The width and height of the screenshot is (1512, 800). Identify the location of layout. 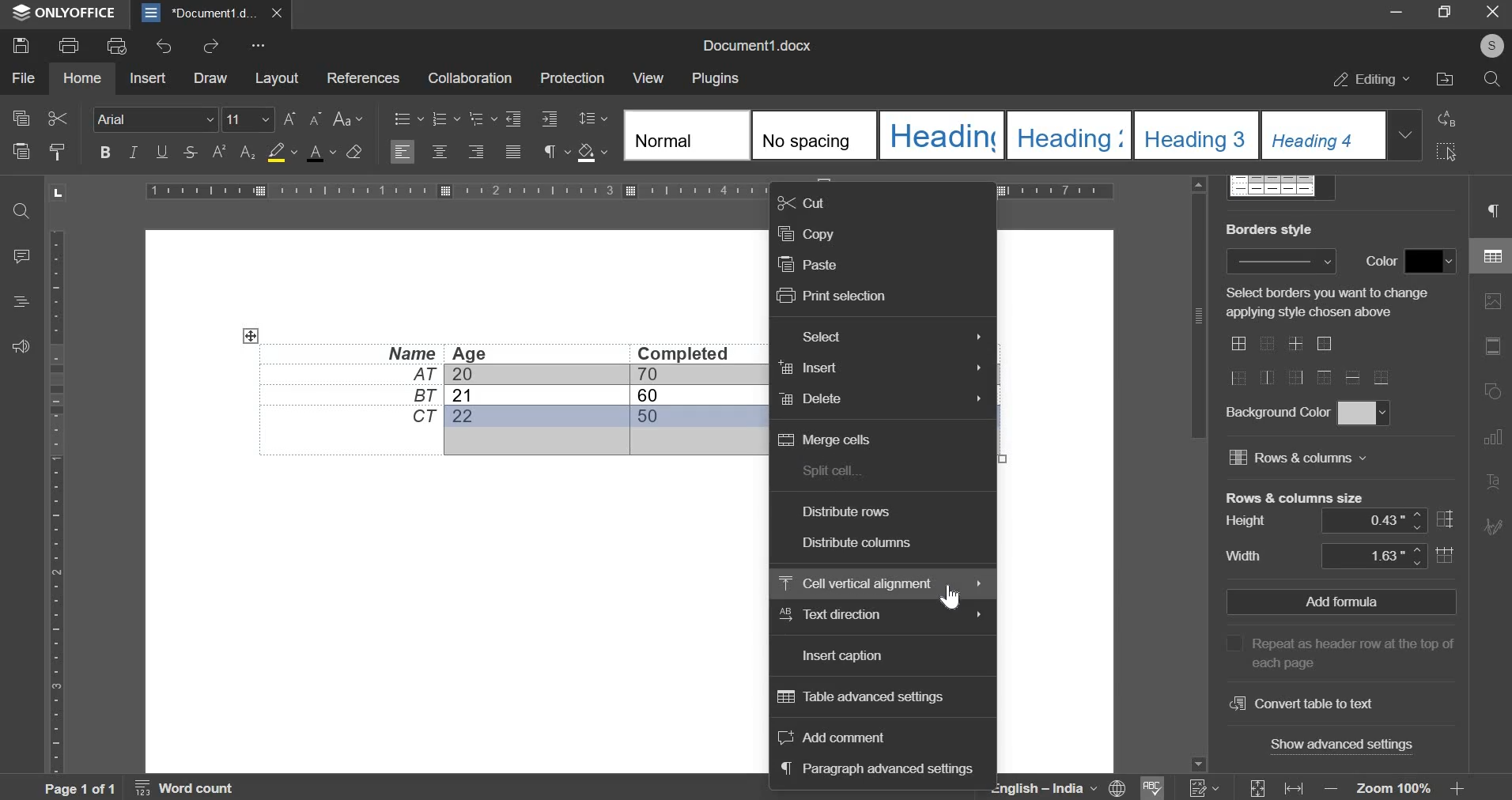
(275, 77).